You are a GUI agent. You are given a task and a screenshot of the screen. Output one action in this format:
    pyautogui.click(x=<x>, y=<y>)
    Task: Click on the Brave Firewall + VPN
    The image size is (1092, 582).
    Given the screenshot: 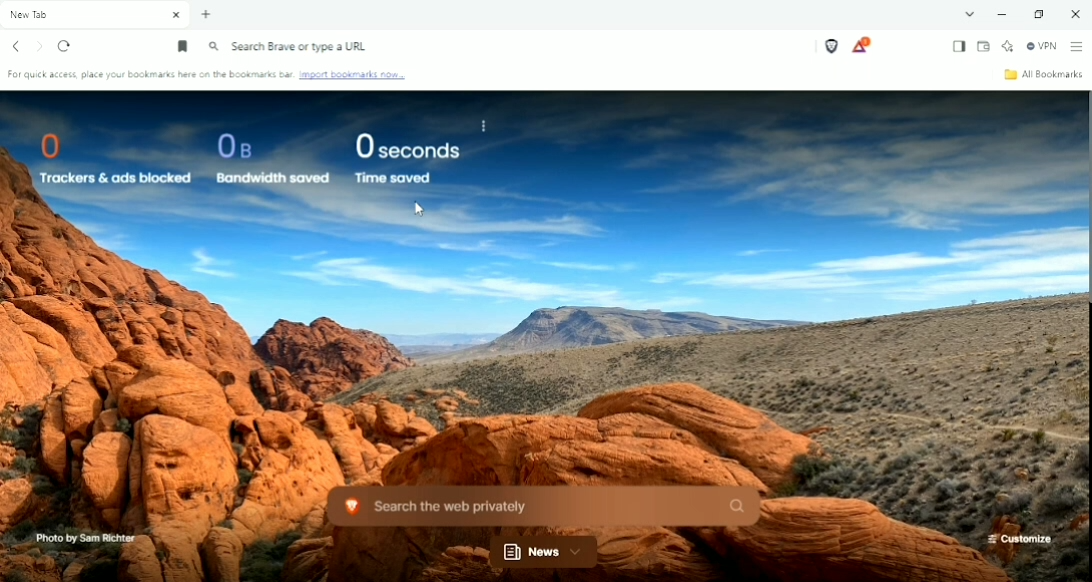 What is the action you would take?
    pyautogui.click(x=1042, y=46)
    